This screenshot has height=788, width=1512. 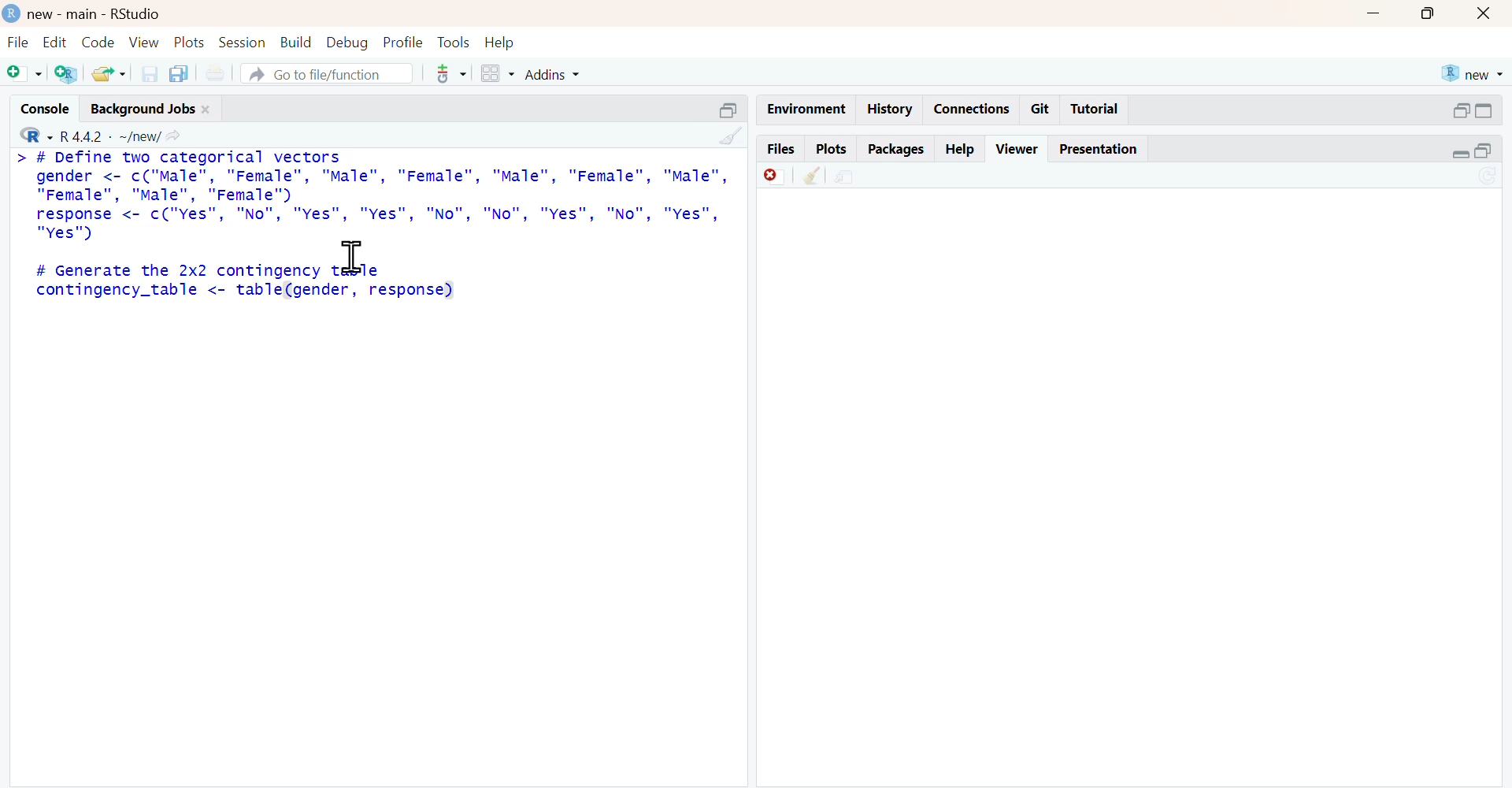 I want to click on R 4.4.2 ~/new/, so click(x=111, y=137).